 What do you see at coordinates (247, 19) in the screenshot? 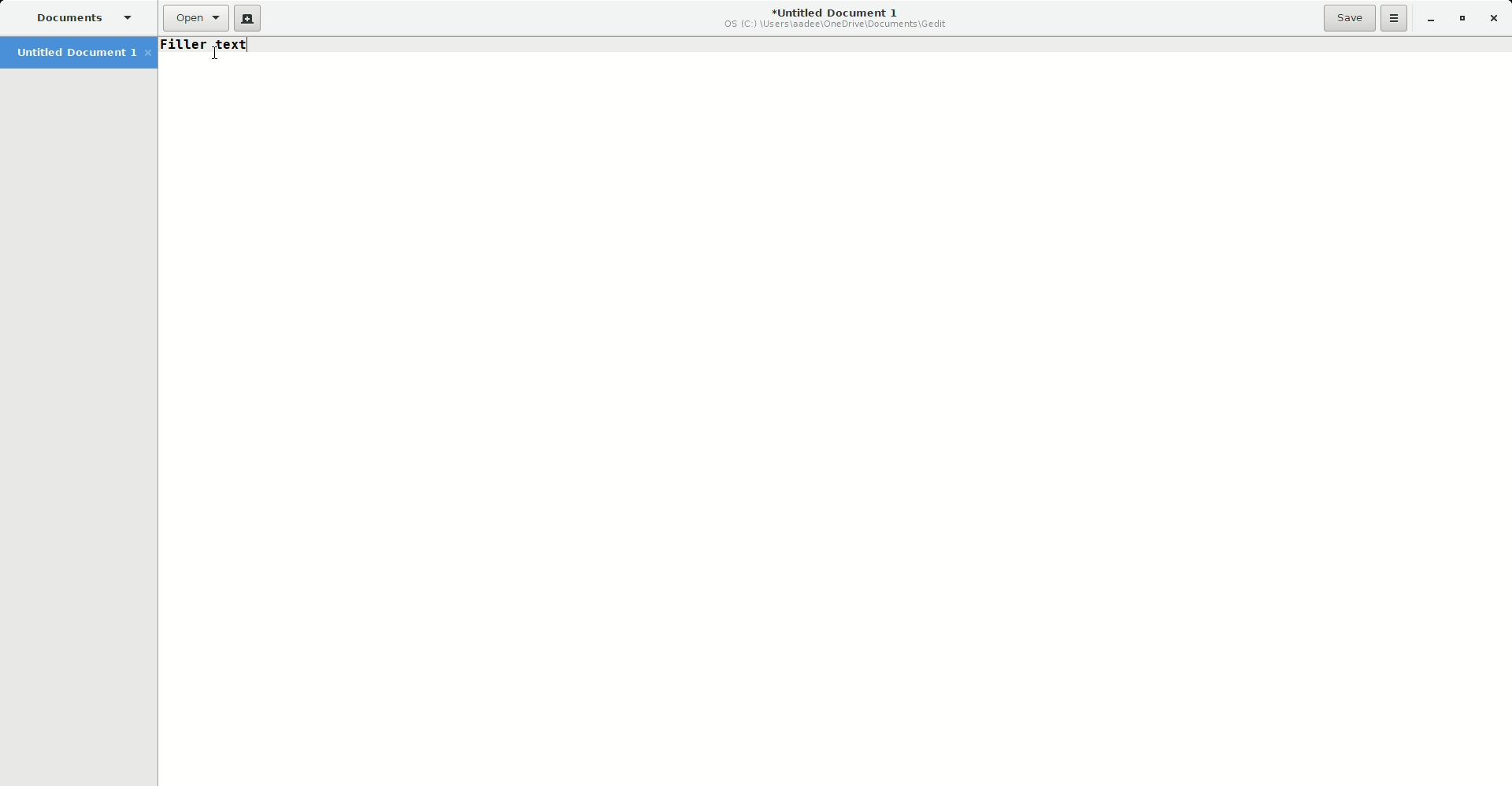
I see `New` at bounding box center [247, 19].